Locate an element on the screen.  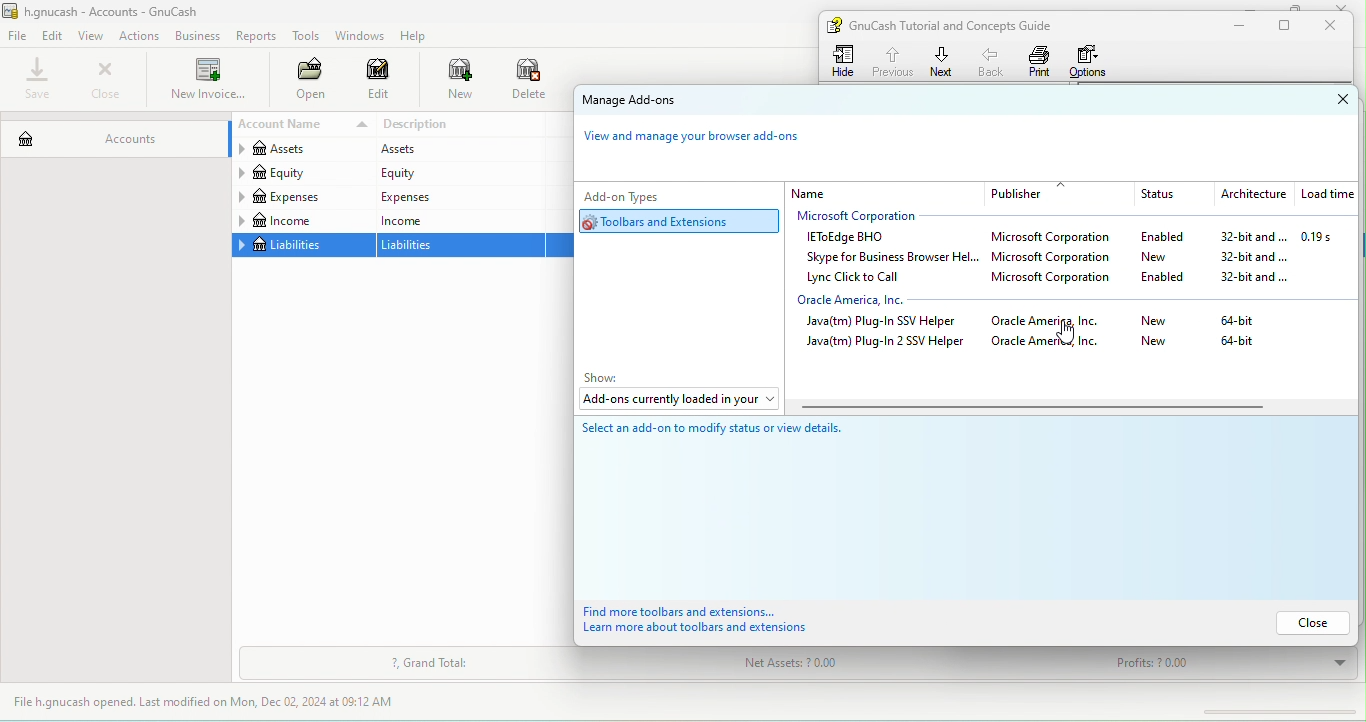
tools is located at coordinates (307, 38).